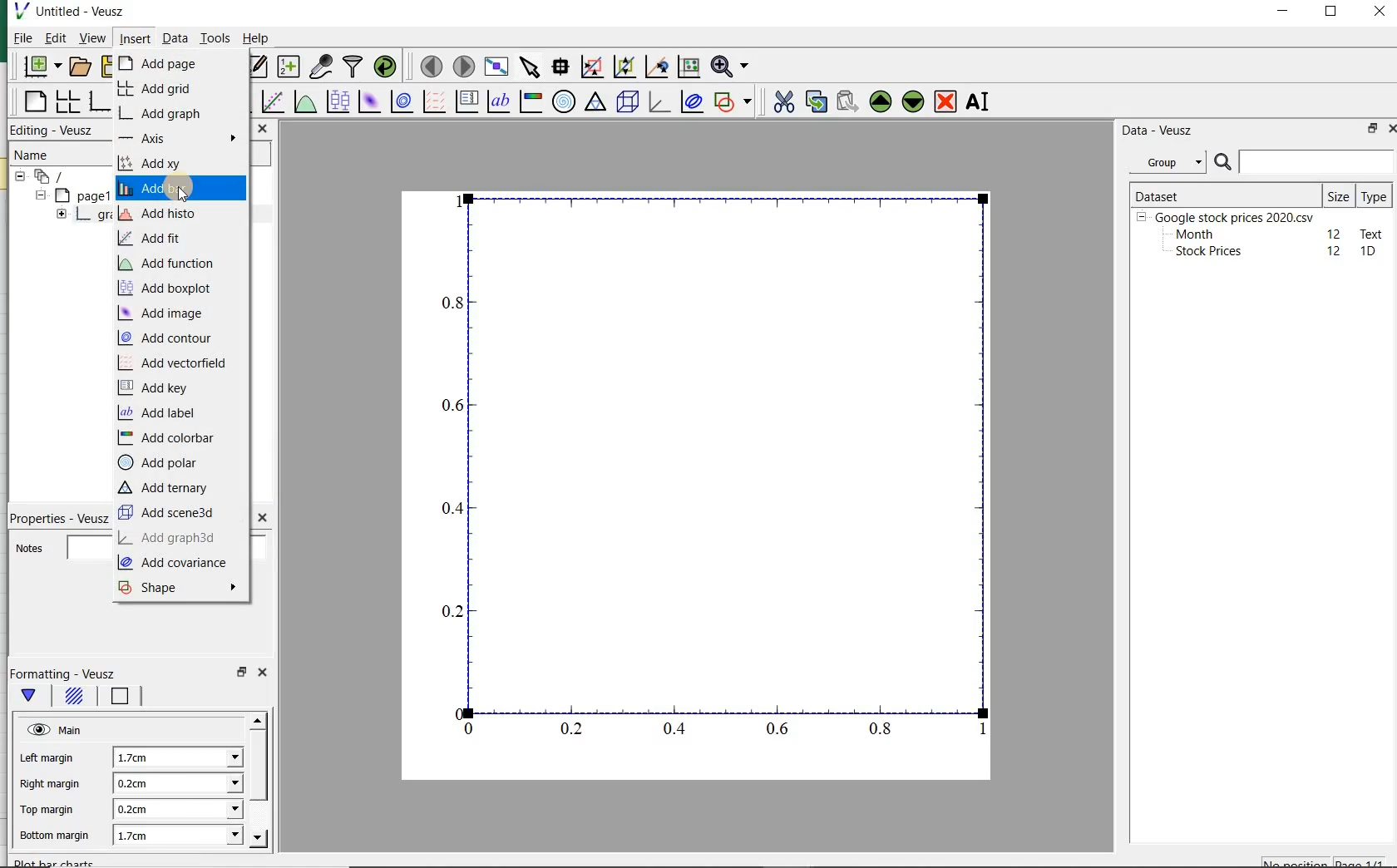  What do you see at coordinates (733, 67) in the screenshot?
I see `zoom function menus` at bounding box center [733, 67].